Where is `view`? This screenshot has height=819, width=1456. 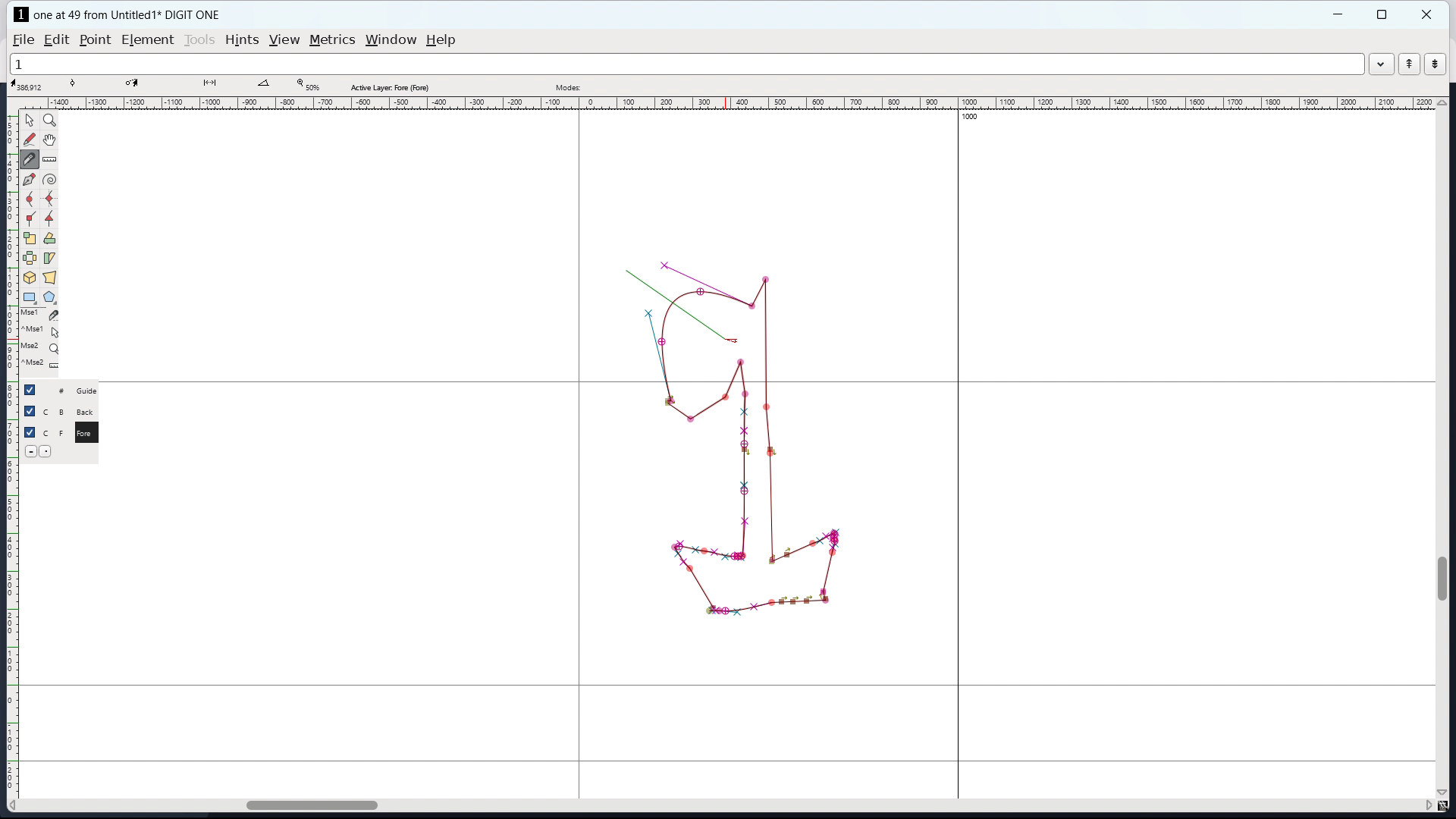 view is located at coordinates (284, 40).